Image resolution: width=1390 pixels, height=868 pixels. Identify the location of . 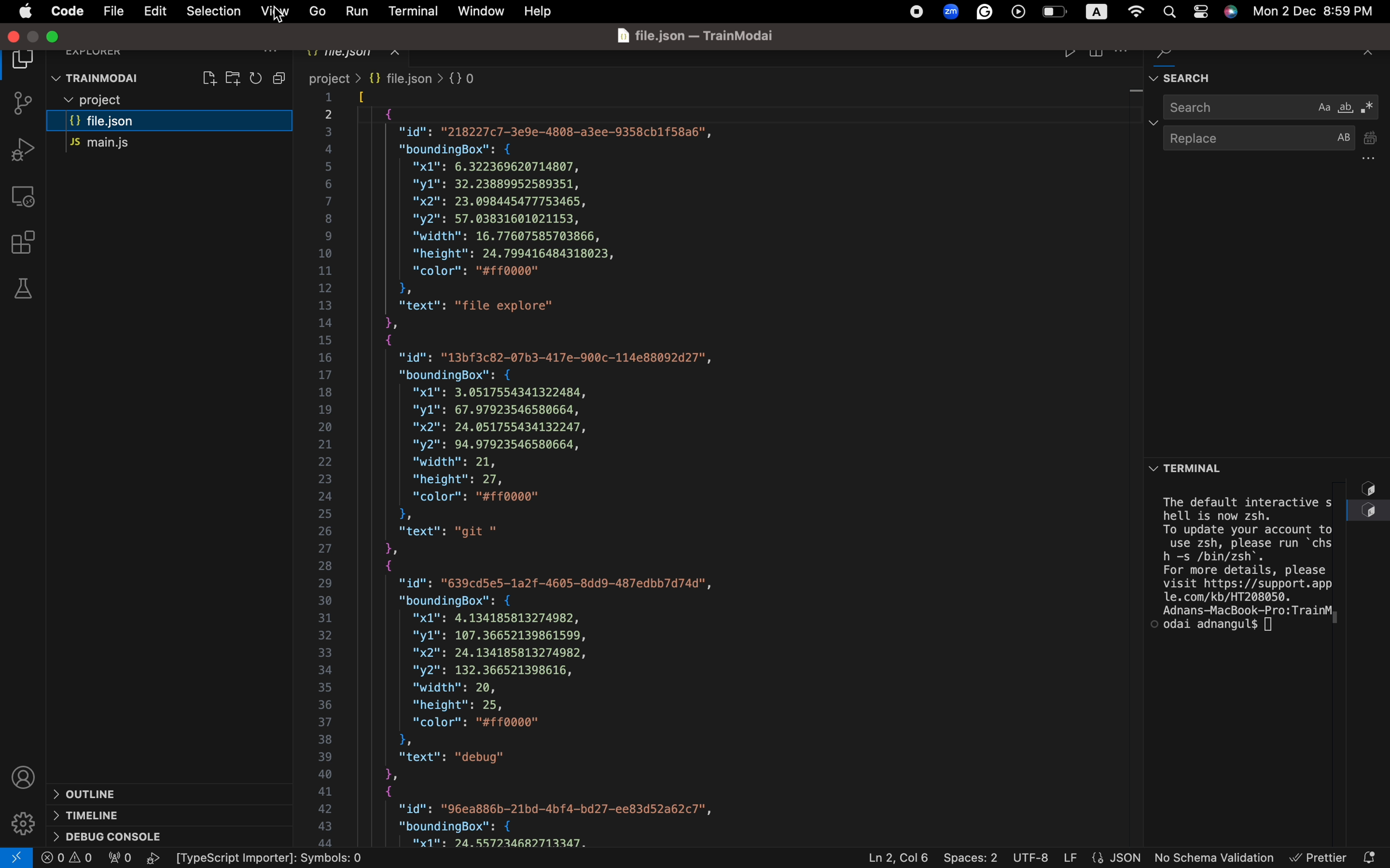
(26, 11).